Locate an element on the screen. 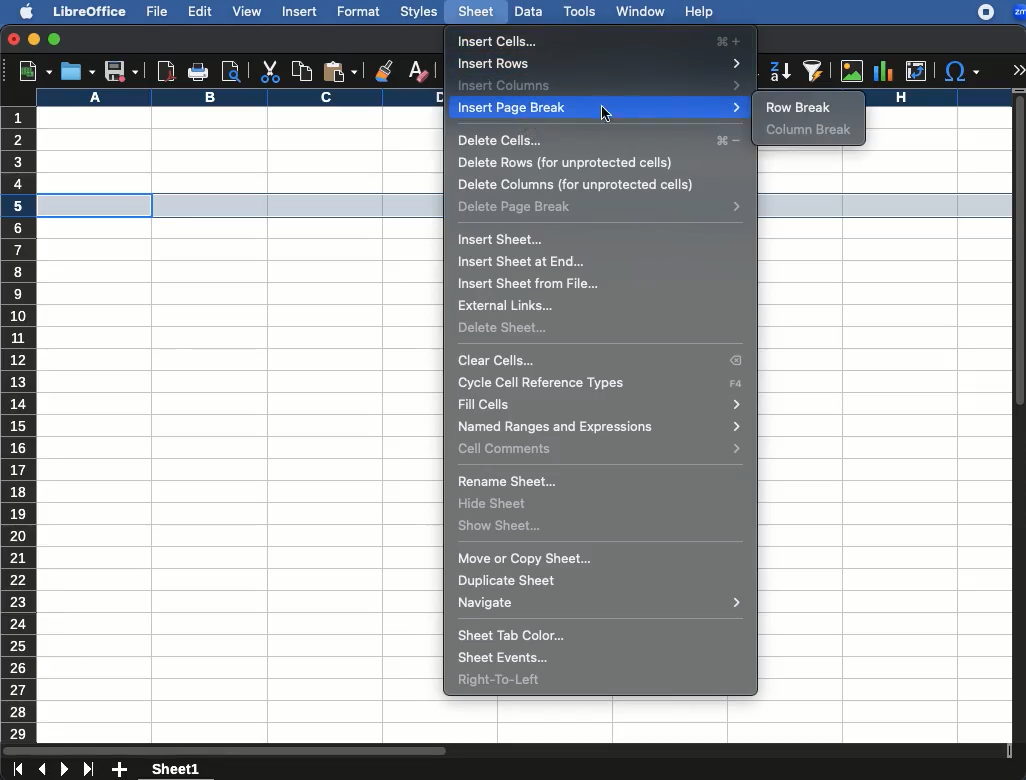 The height and width of the screenshot is (780, 1026). last sheet is located at coordinates (88, 771).